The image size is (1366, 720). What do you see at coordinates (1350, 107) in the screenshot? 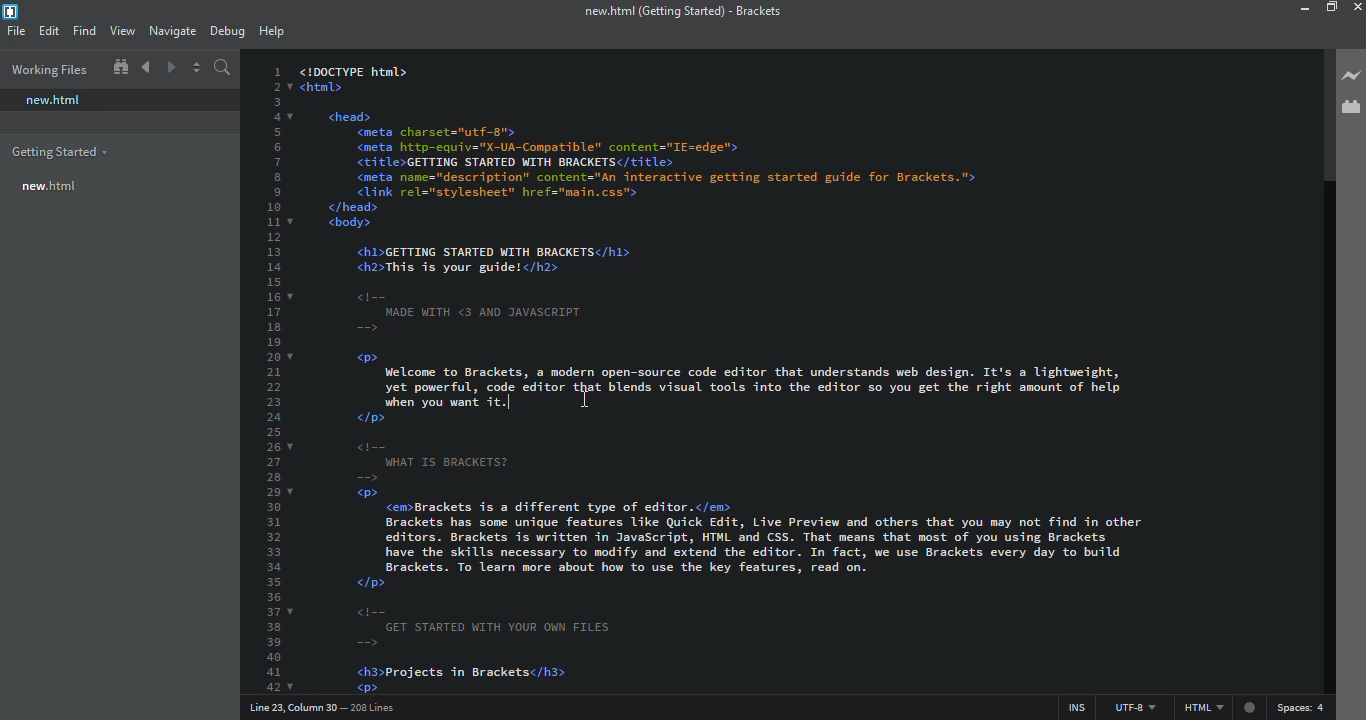
I see `extension manager` at bounding box center [1350, 107].